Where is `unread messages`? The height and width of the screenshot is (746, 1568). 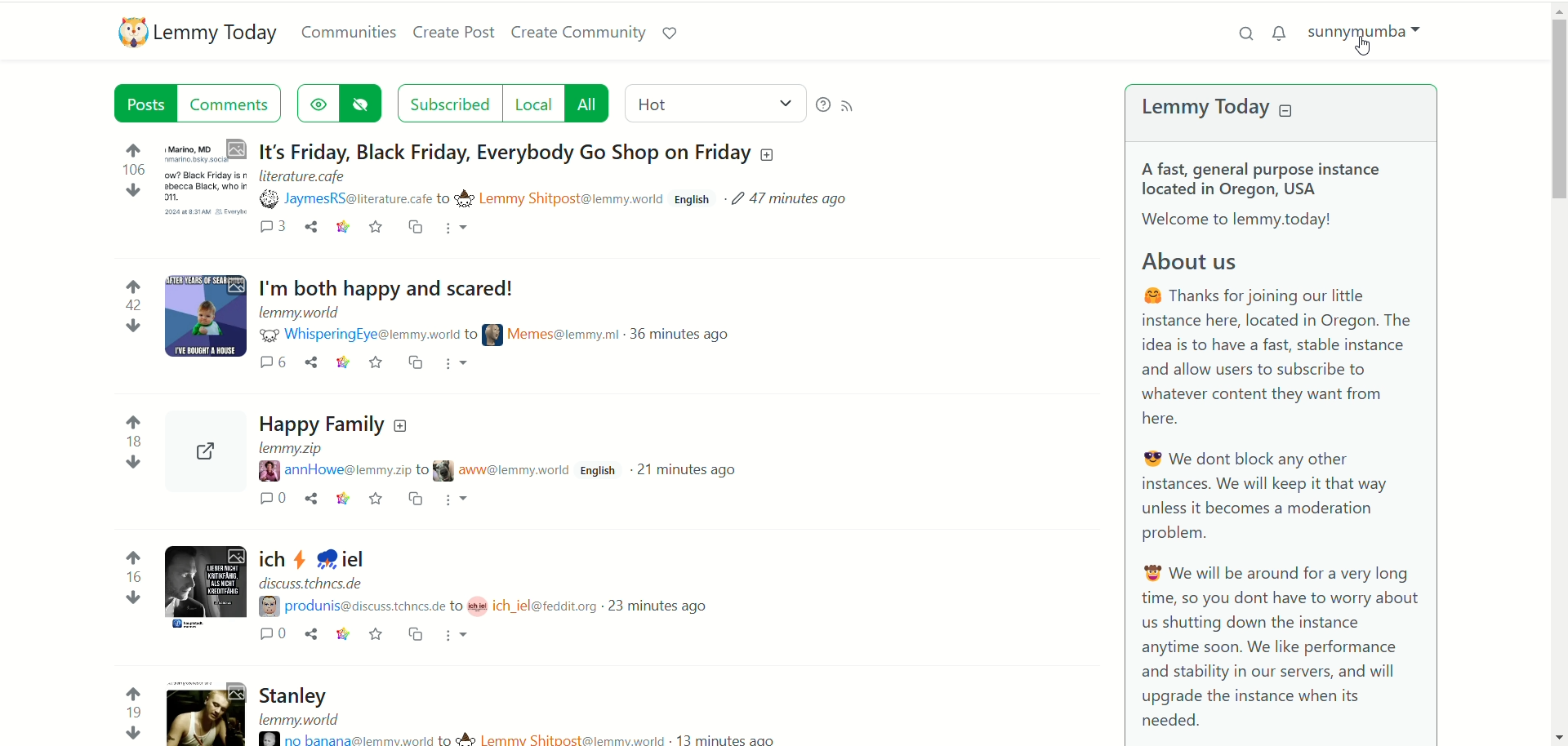
unread messages is located at coordinates (1282, 33).